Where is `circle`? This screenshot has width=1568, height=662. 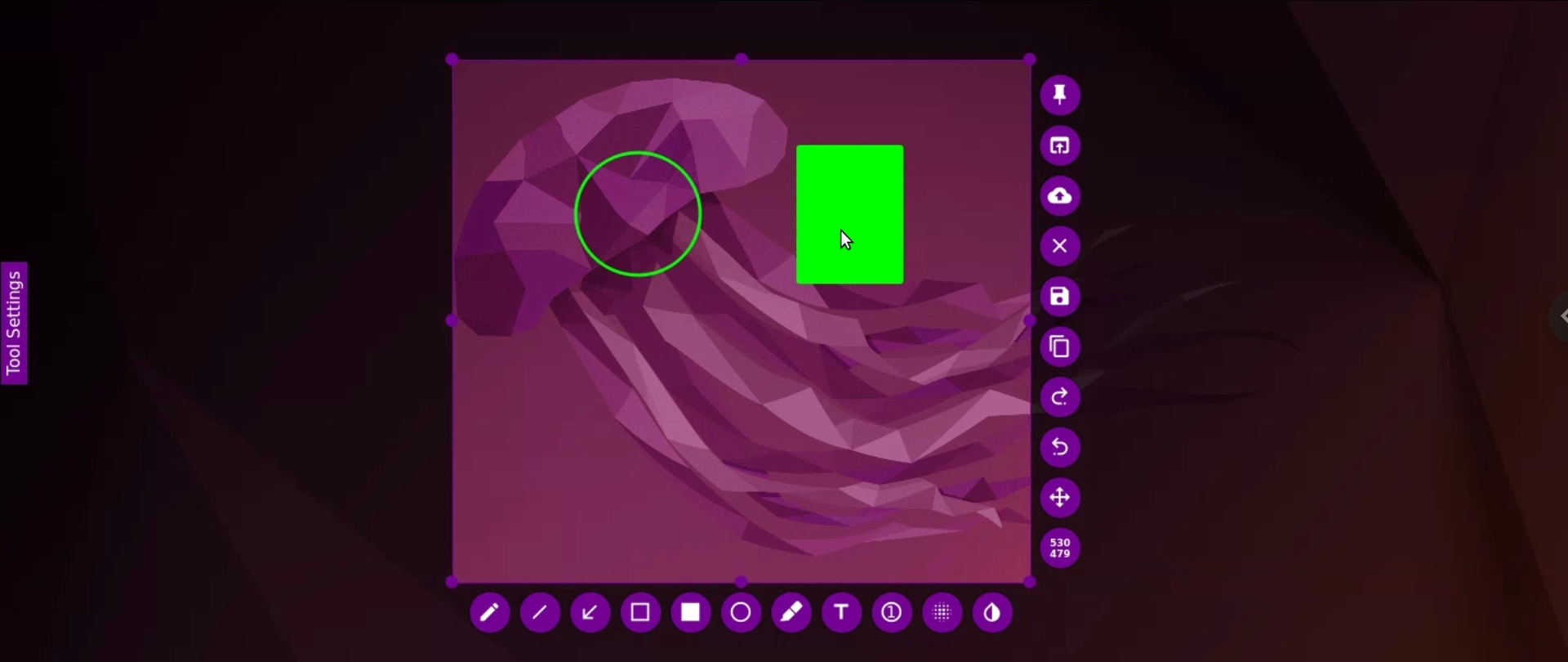 circle is located at coordinates (742, 611).